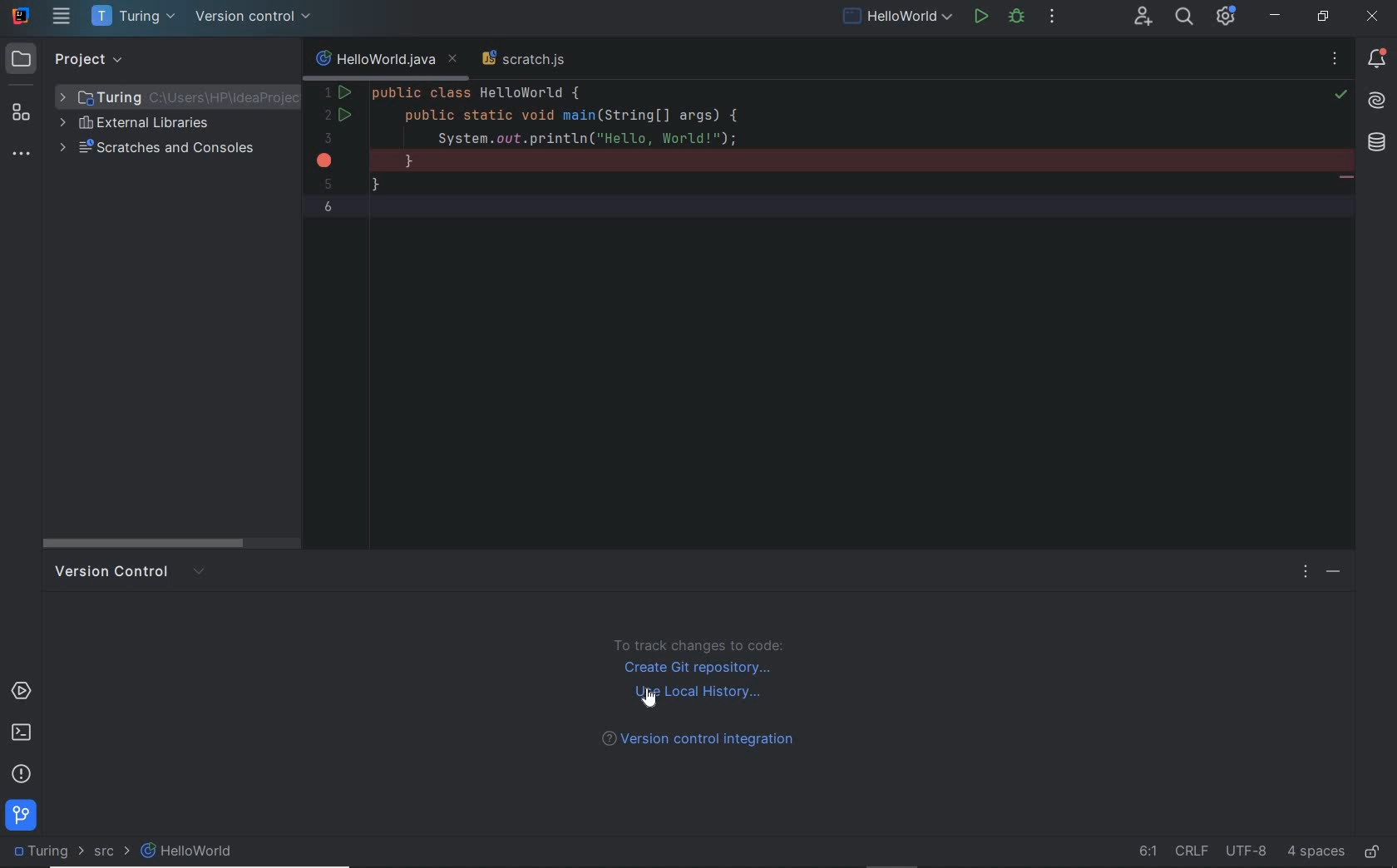 This screenshot has width=1397, height=868. Describe the element at coordinates (1375, 852) in the screenshot. I see `make file ready only` at that location.